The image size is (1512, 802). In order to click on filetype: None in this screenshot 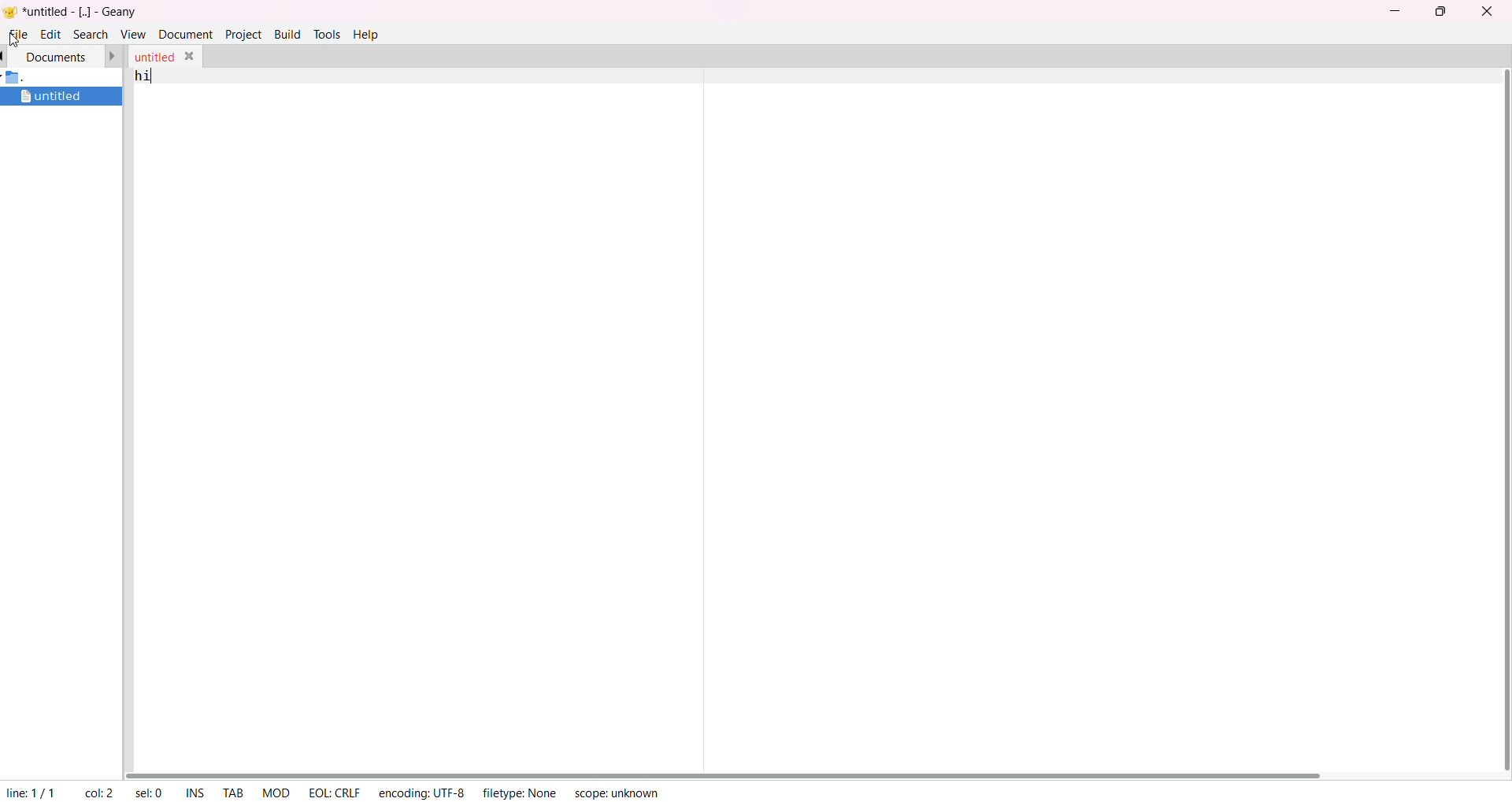, I will do `click(521, 793)`.